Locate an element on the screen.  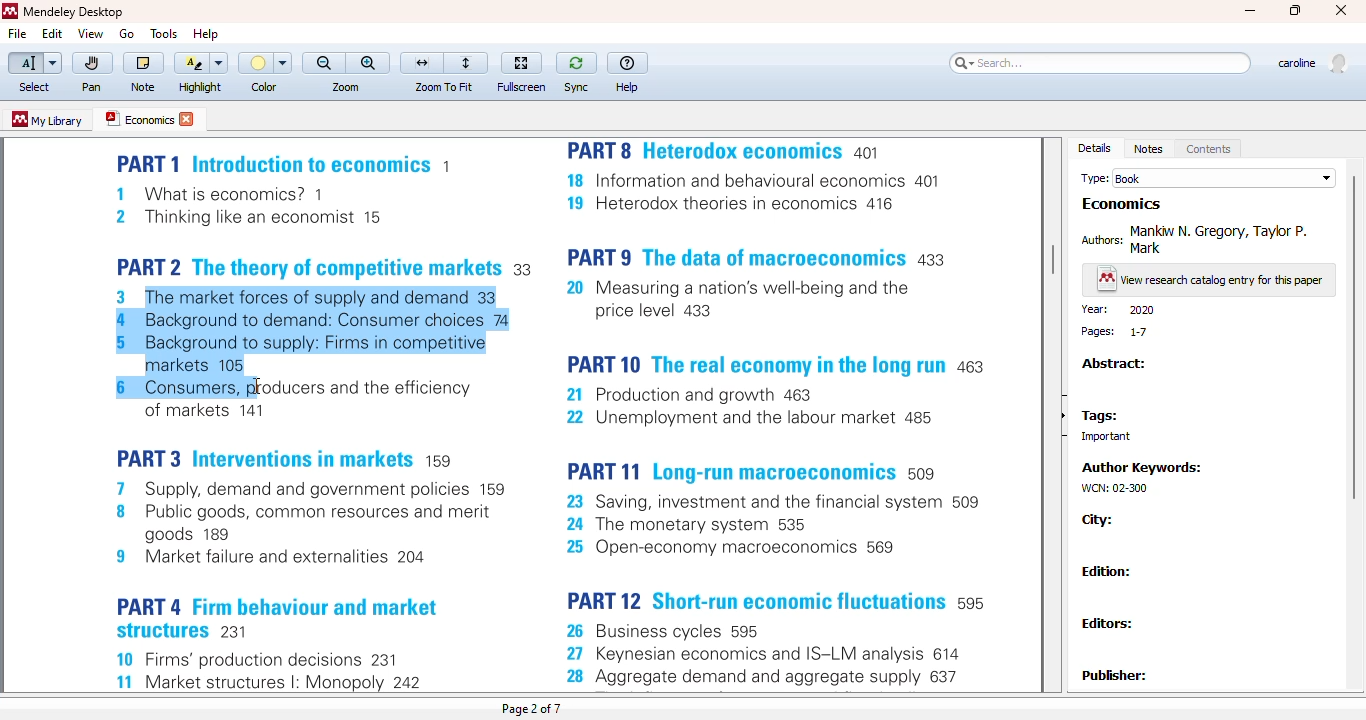
help is located at coordinates (206, 33).